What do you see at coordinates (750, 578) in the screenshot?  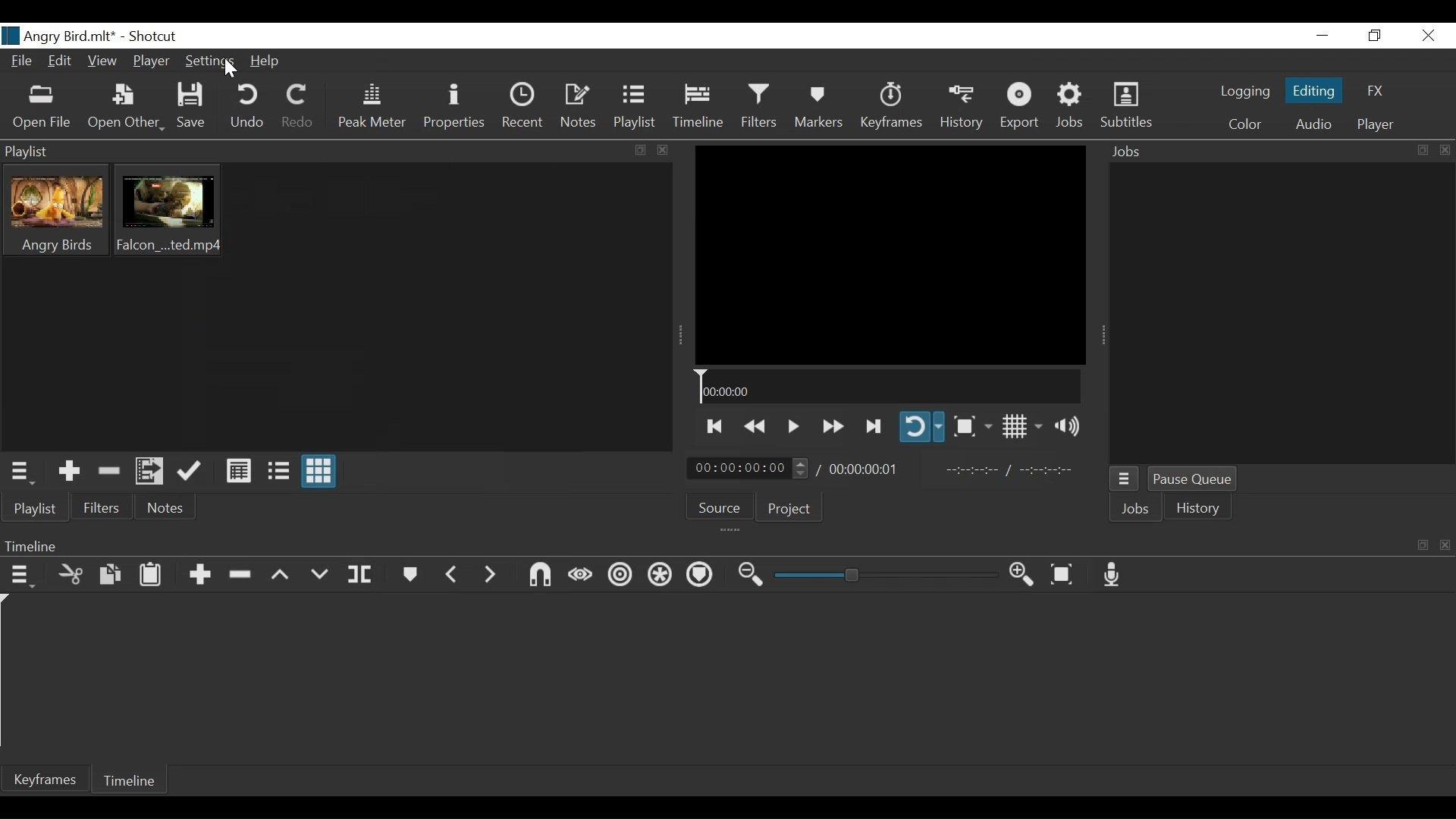 I see `Zoom timeline out` at bounding box center [750, 578].